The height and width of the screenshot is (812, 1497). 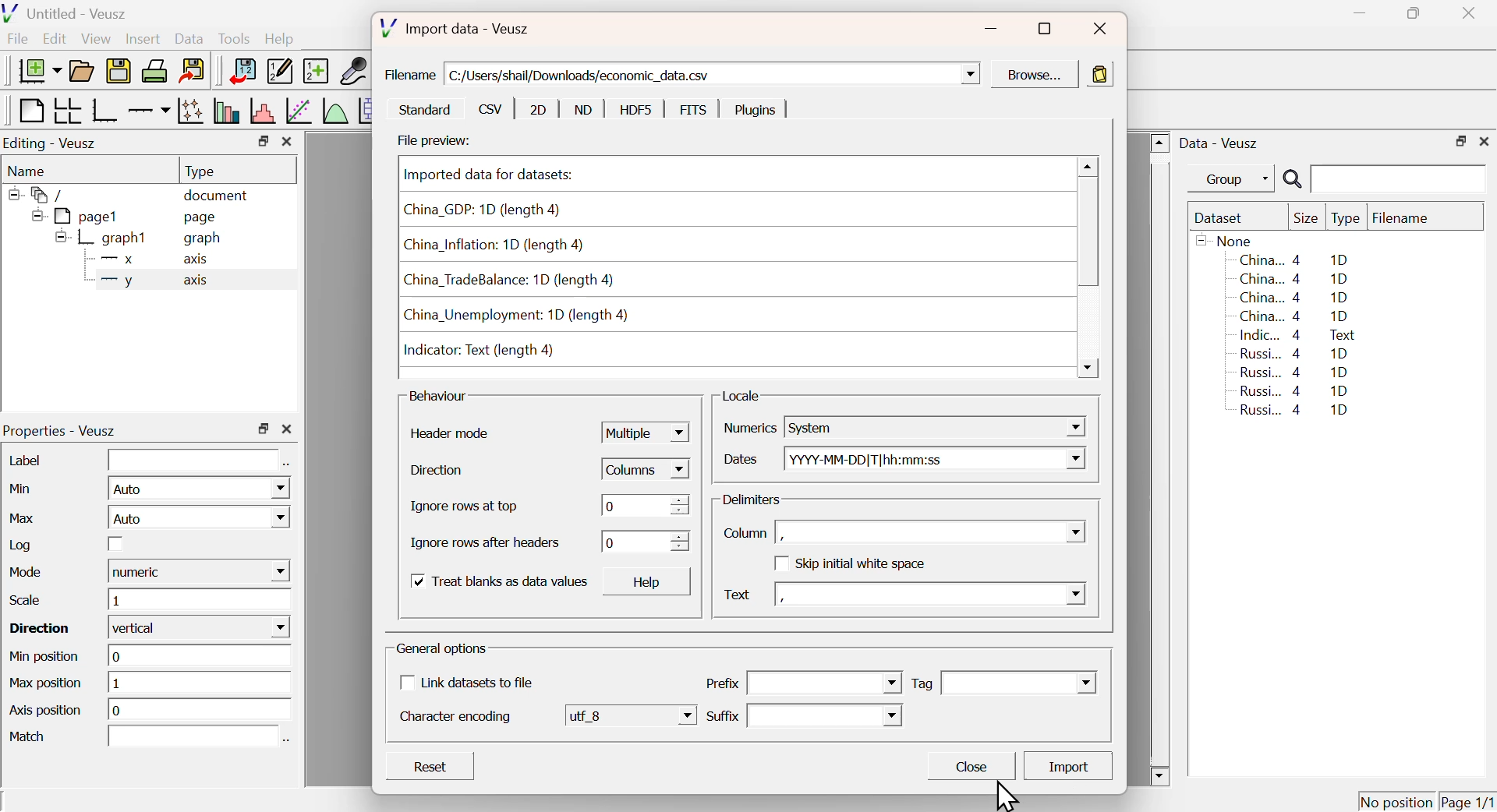 I want to click on ,, so click(x=928, y=532).